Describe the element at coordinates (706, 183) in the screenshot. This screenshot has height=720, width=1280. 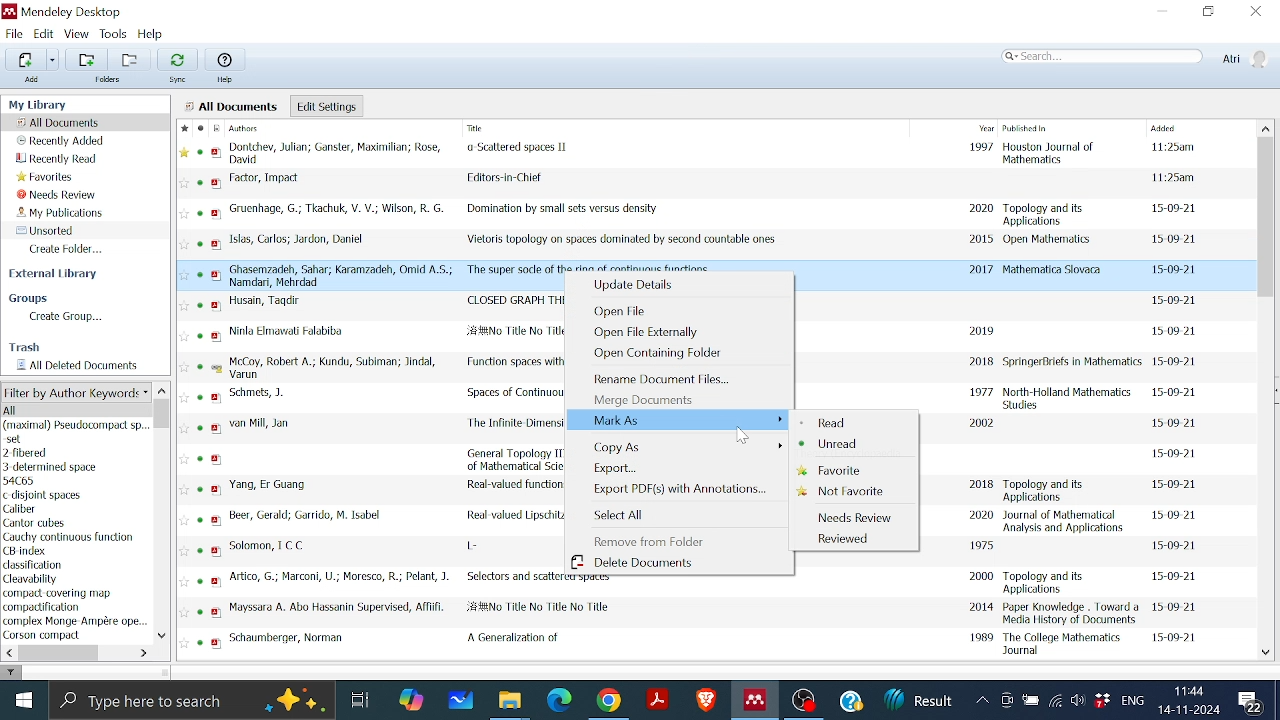
I see `Editors-in Chief` at that location.